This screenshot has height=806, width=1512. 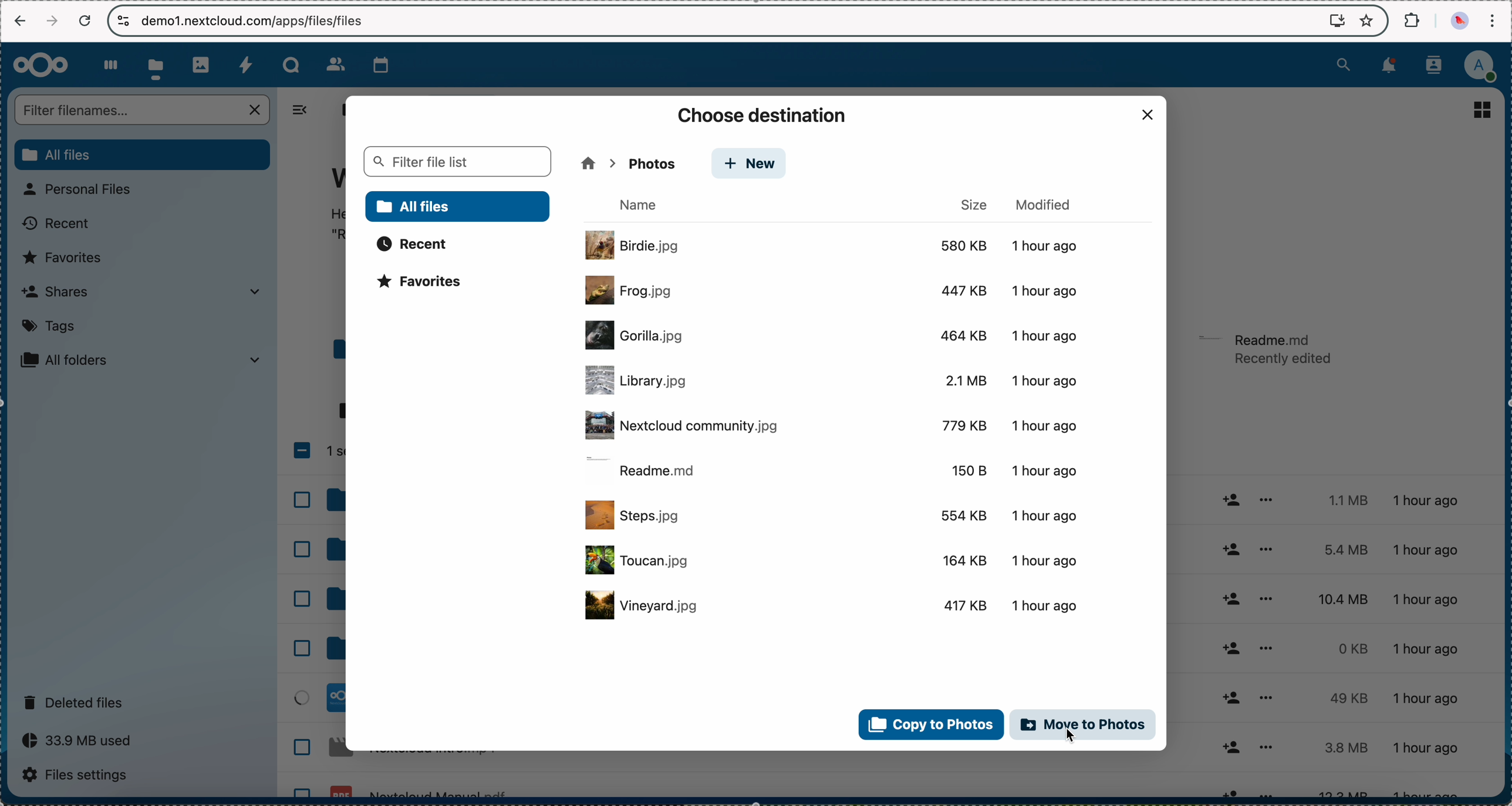 I want to click on all files, so click(x=458, y=206).